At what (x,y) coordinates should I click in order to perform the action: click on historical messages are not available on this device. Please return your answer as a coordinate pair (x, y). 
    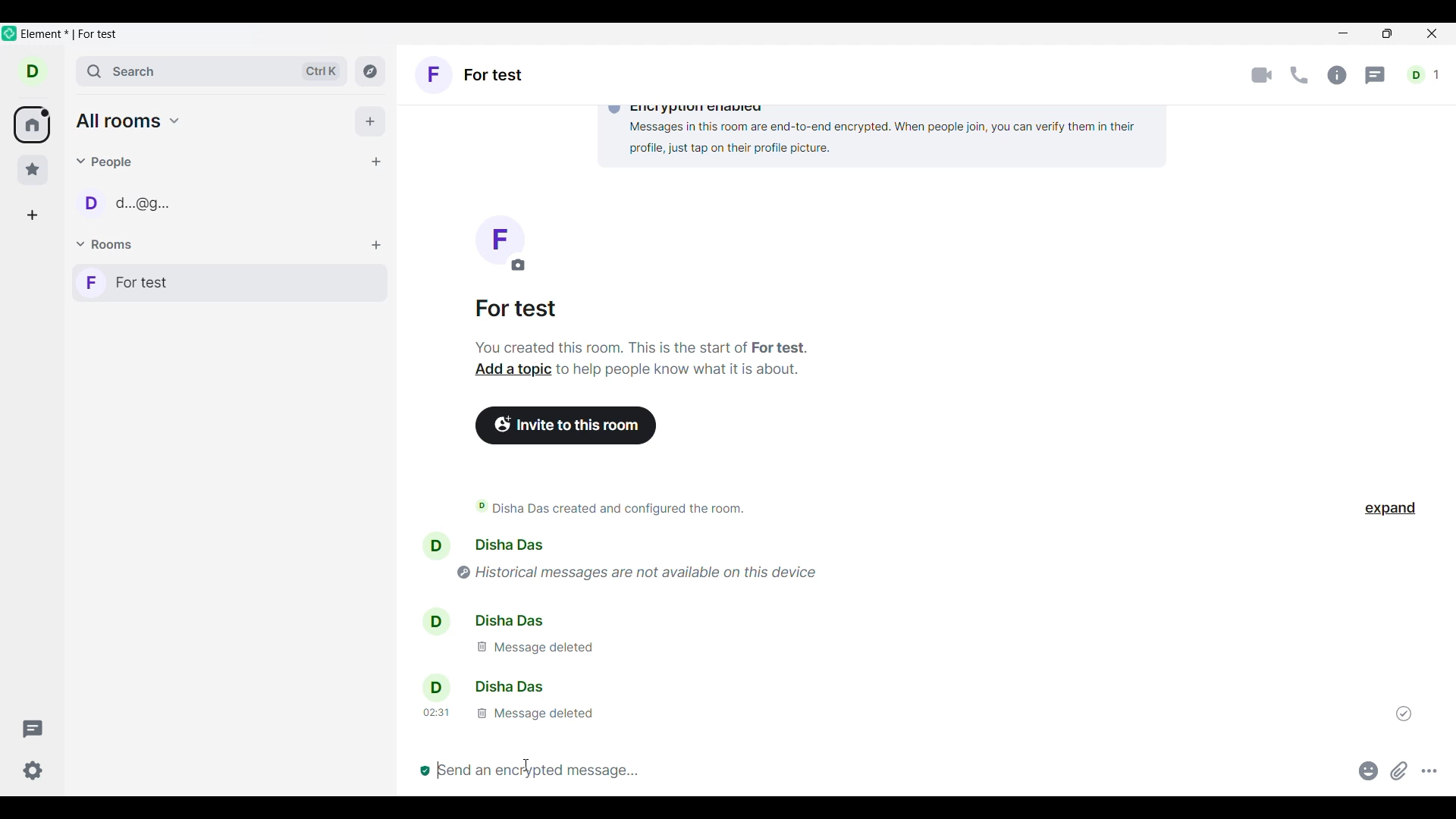
    Looking at the image, I should click on (649, 570).